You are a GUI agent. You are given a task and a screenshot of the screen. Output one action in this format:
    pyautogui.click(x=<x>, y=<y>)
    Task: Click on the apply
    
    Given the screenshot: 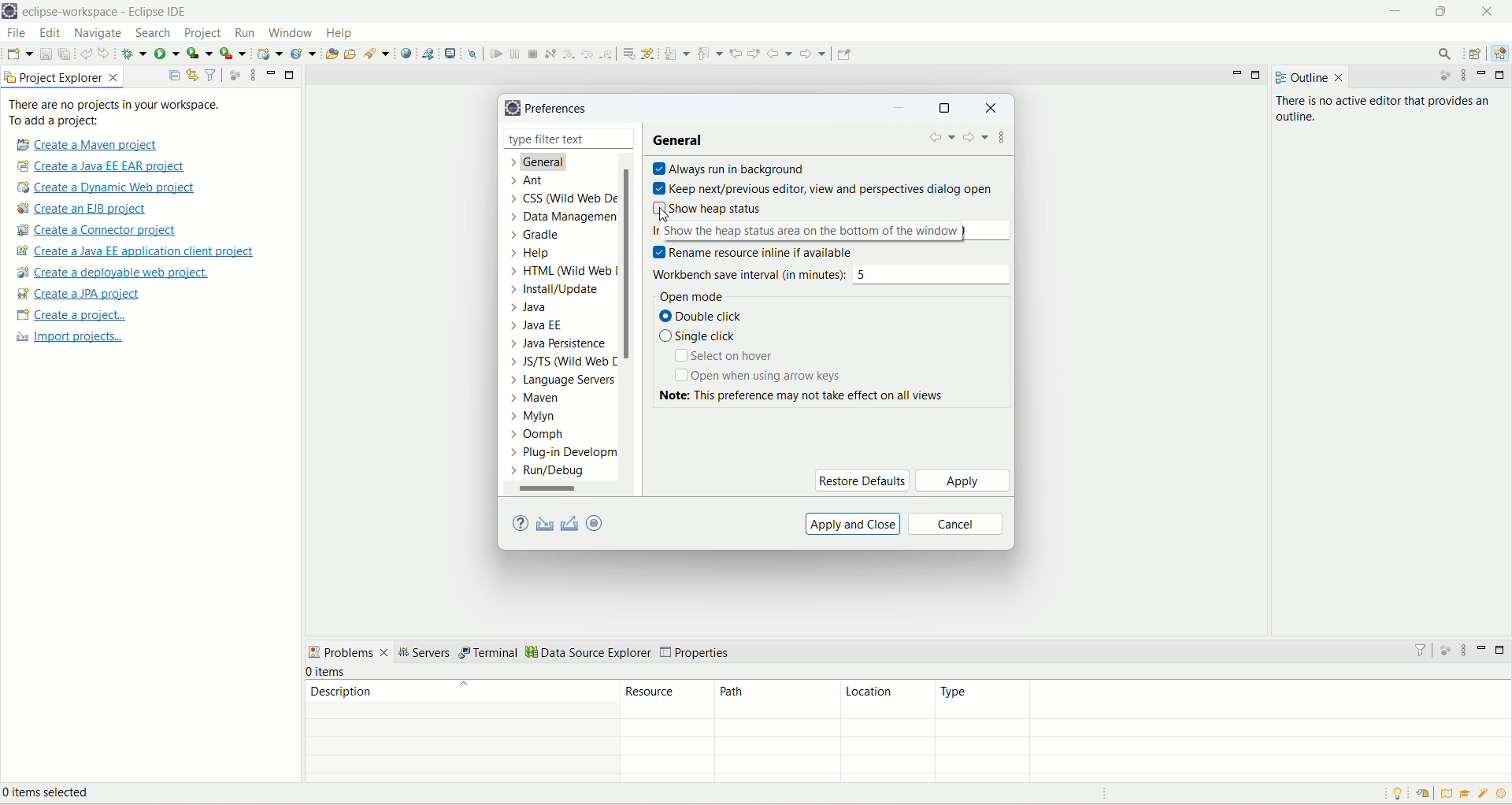 What is the action you would take?
    pyautogui.click(x=962, y=480)
    